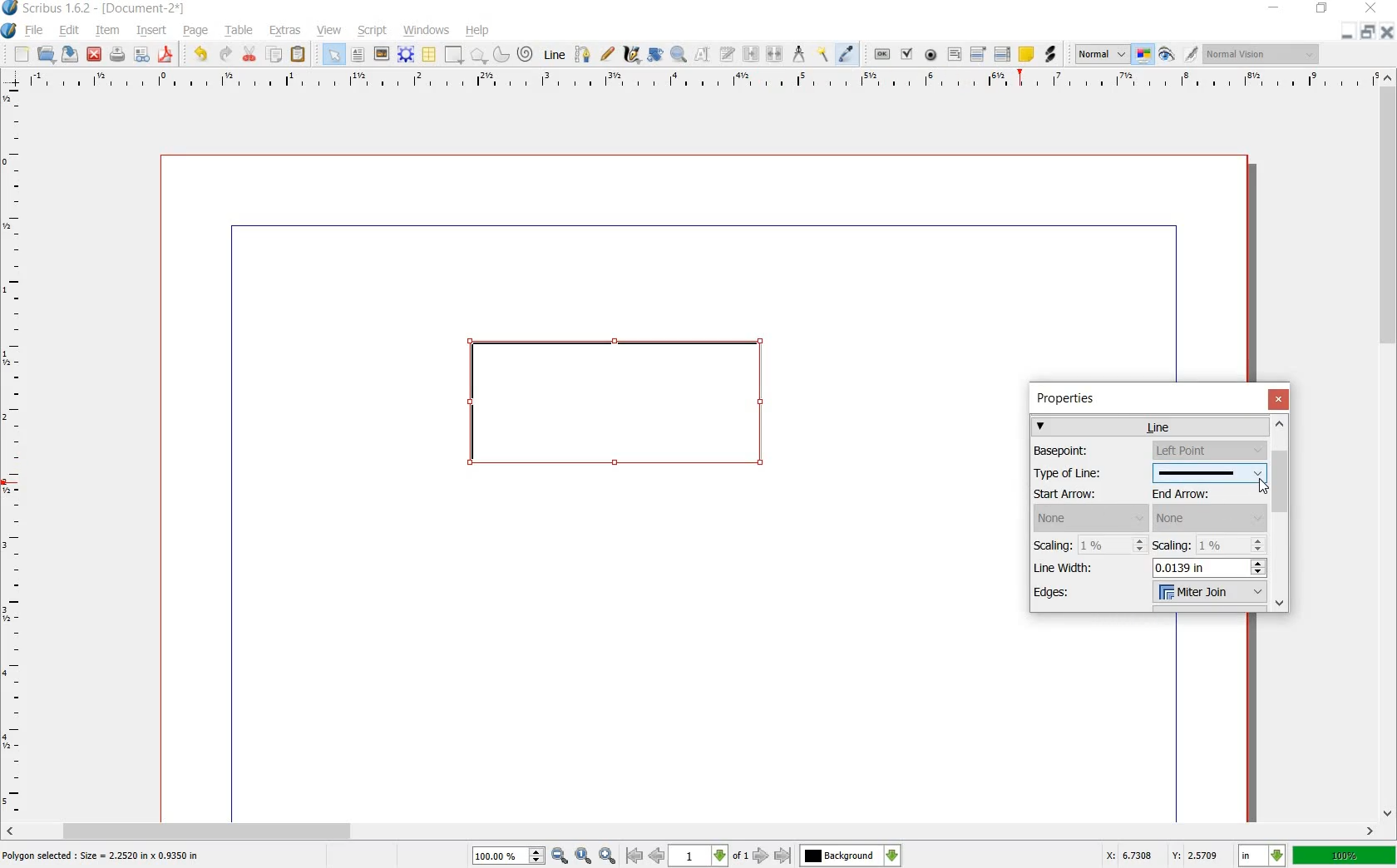  What do you see at coordinates (1090, 518) in the screenshot?
I see `none` at bounding box center [1090, 518].